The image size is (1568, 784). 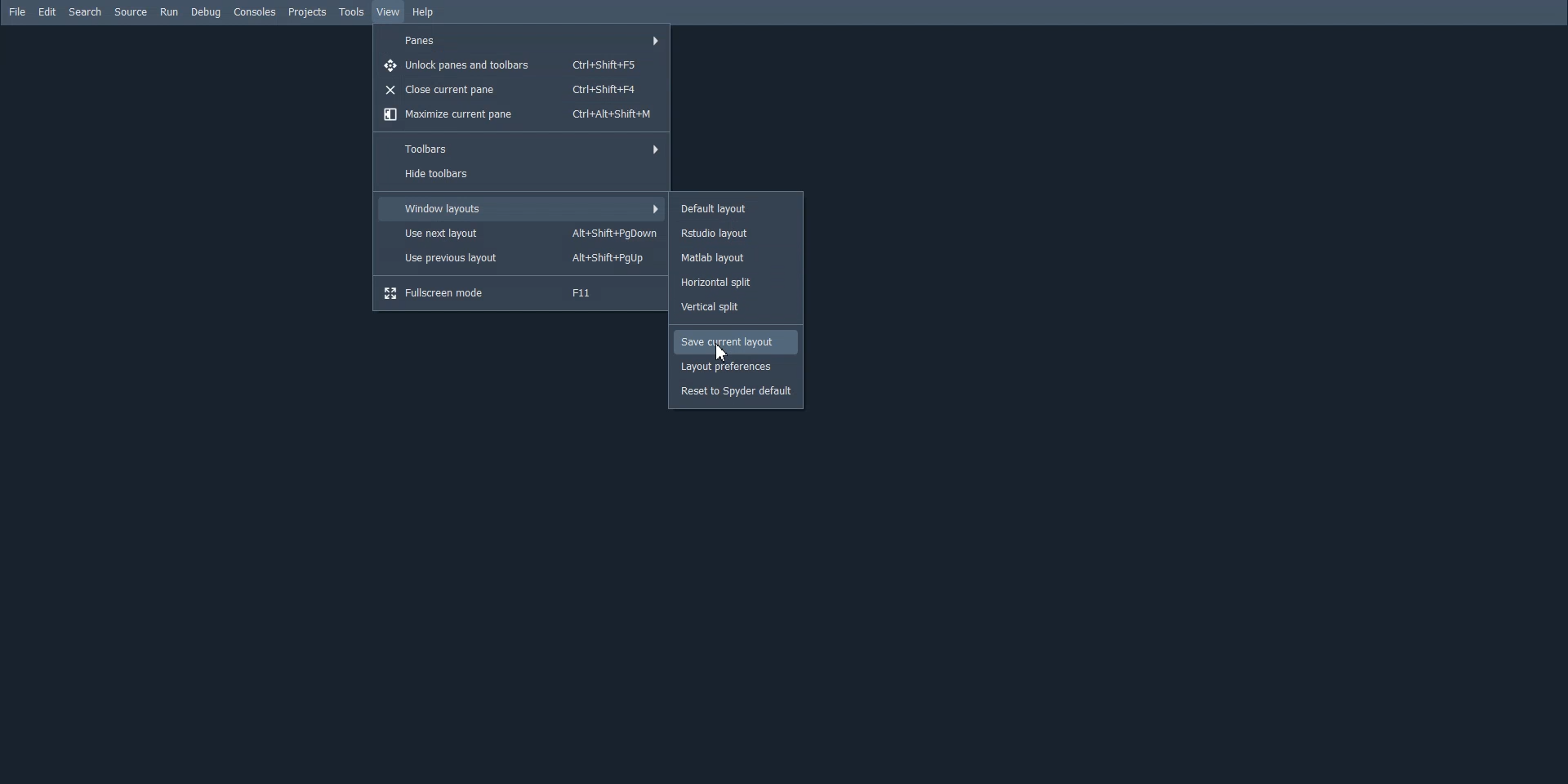 What do you see at coordinates (522, 258) in the screenshot?
I see `Use previous layout` at bounding box center [522, 258].